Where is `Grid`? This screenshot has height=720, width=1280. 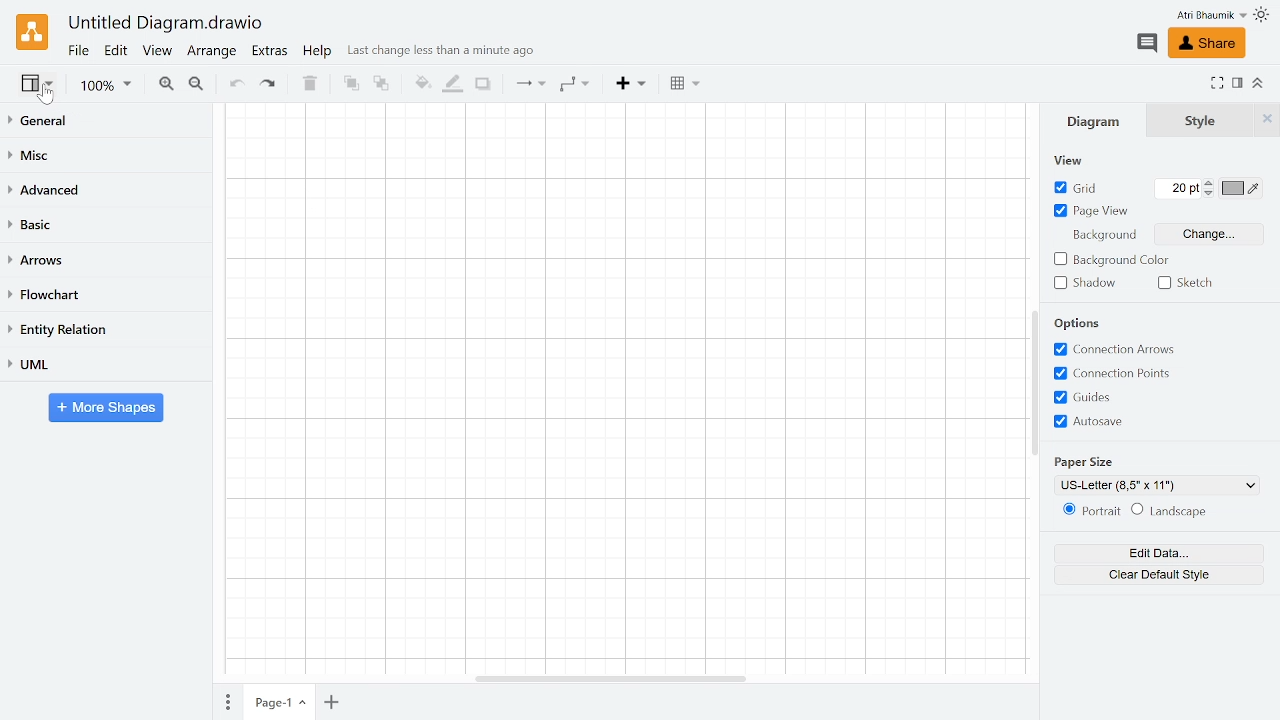 Grid is located at coordinates (1078, 188).